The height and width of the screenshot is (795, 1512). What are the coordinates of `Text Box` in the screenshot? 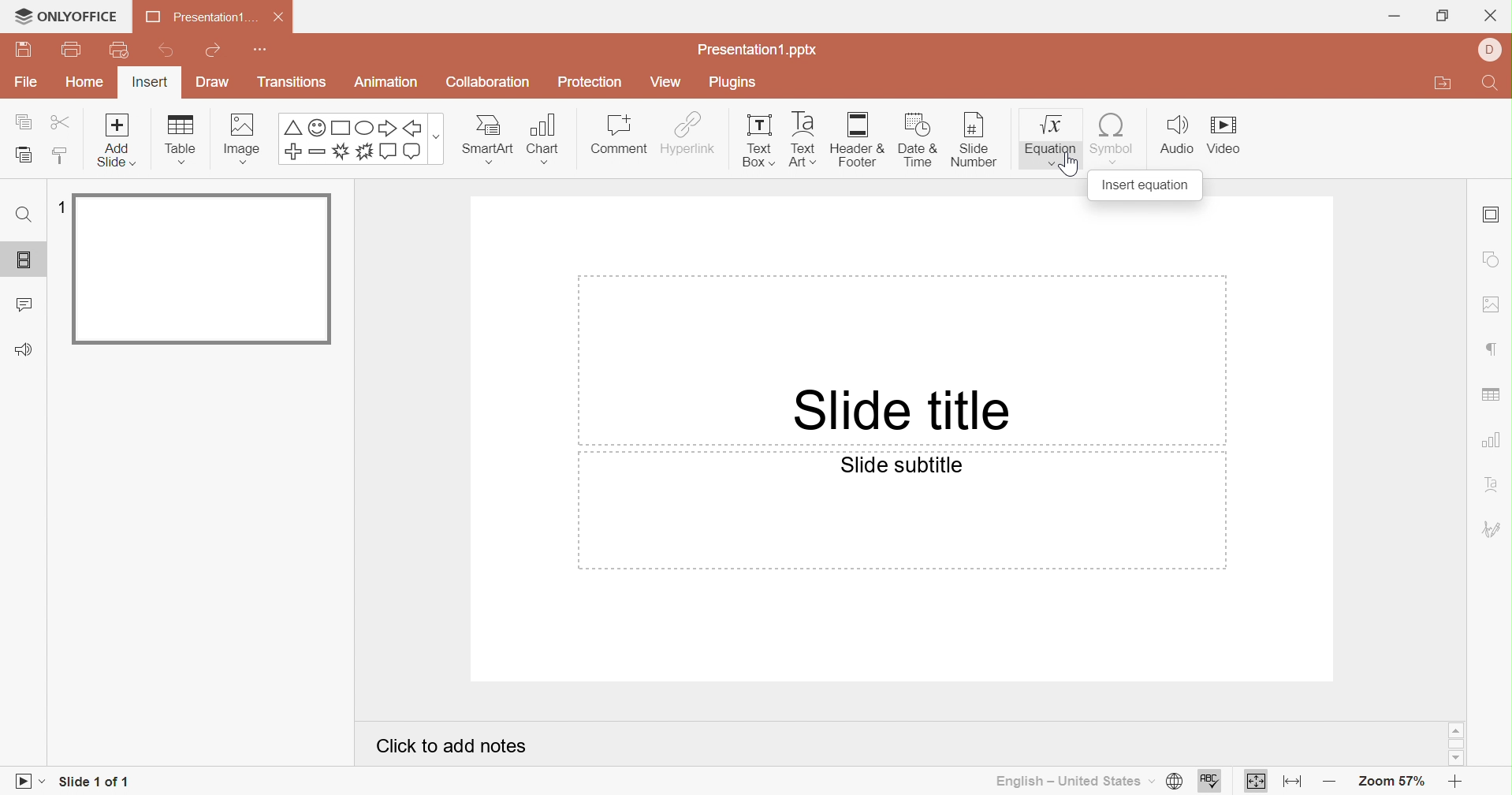 It's located at (759, 141).